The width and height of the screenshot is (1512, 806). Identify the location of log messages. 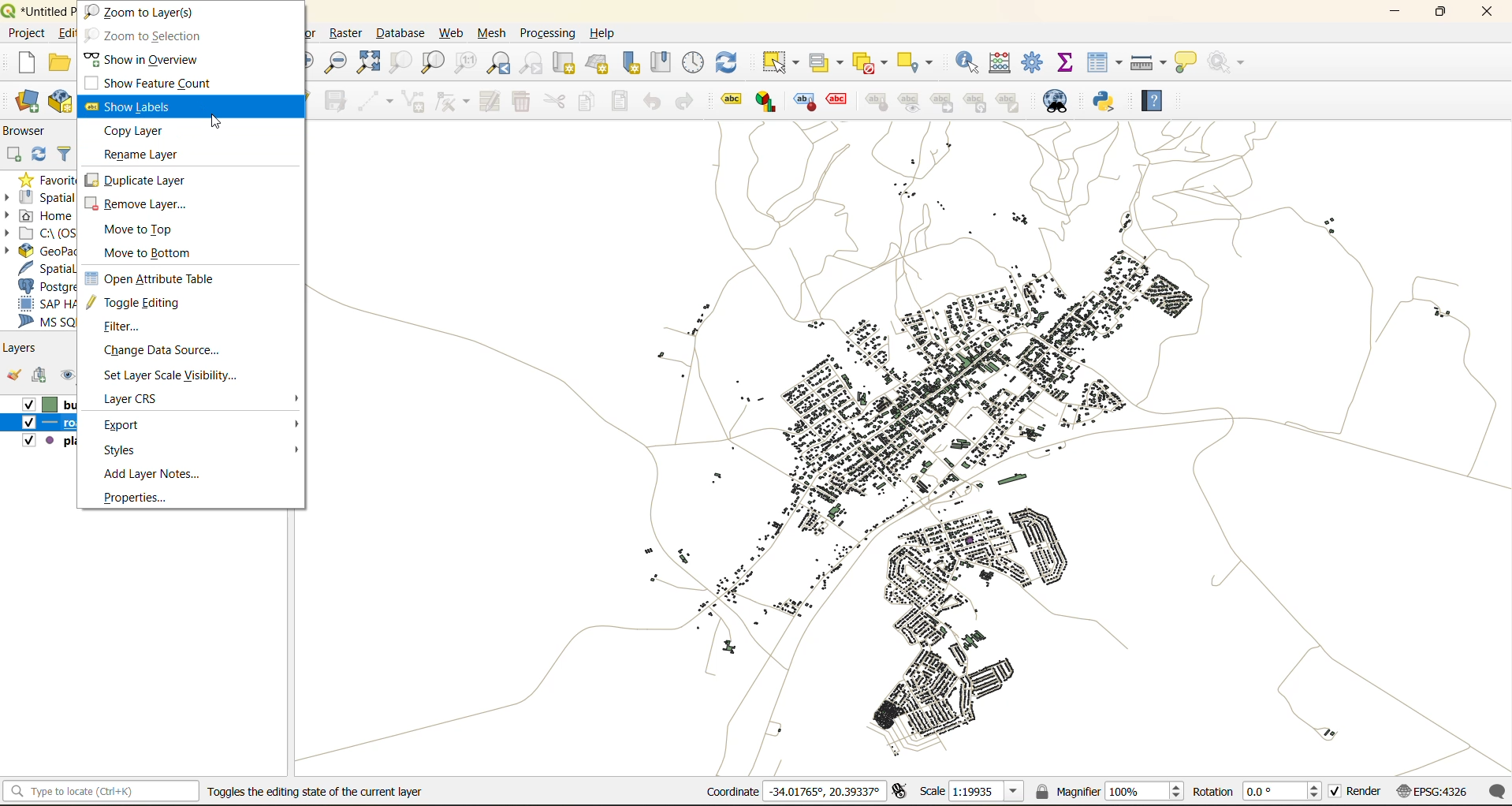
(1495, 792).